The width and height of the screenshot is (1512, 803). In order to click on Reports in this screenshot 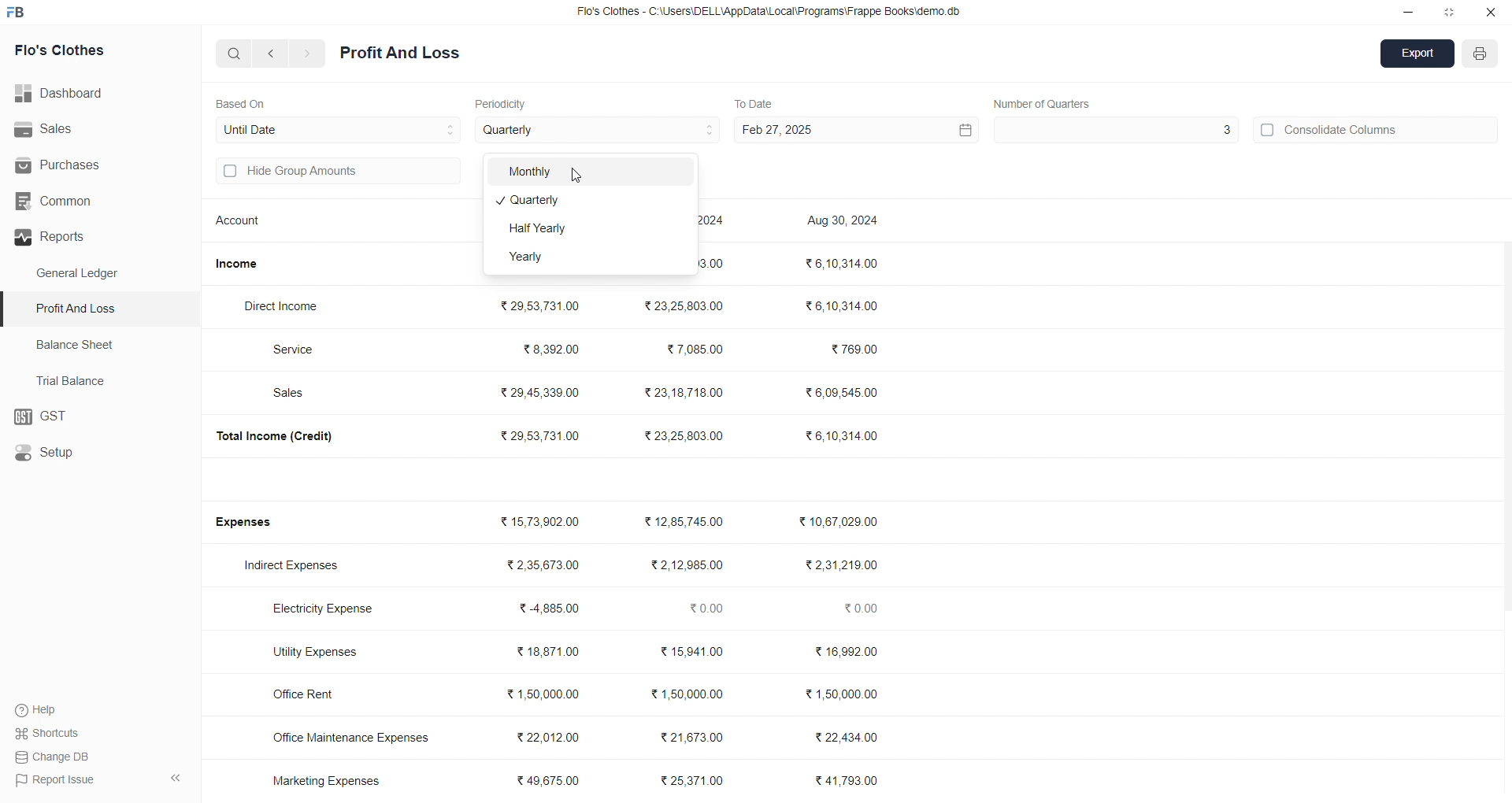, I will do `click(94, 237)`.